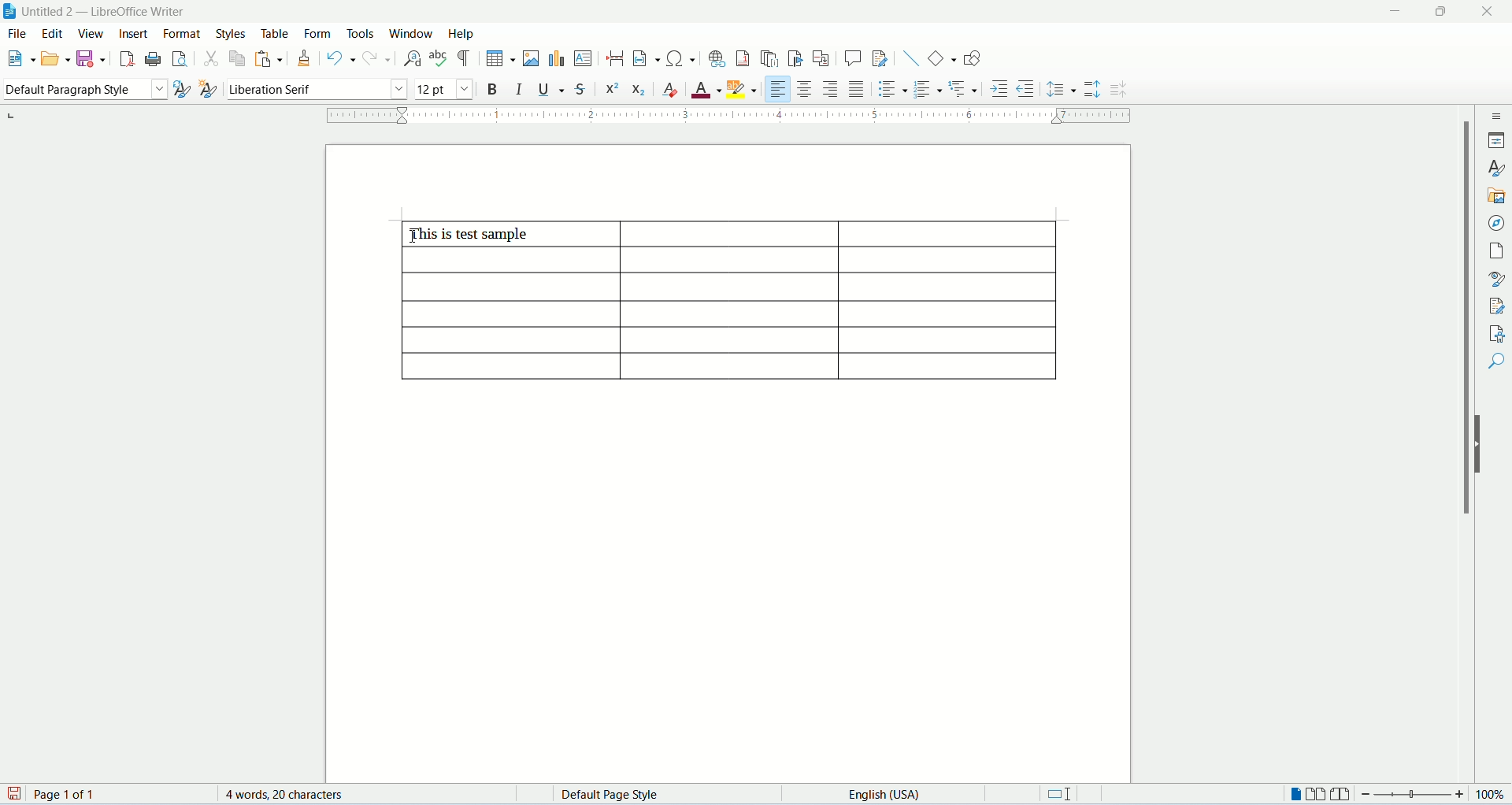 This screenshot has height=805, width=1512. I want to click on italic, so click(520, 89).